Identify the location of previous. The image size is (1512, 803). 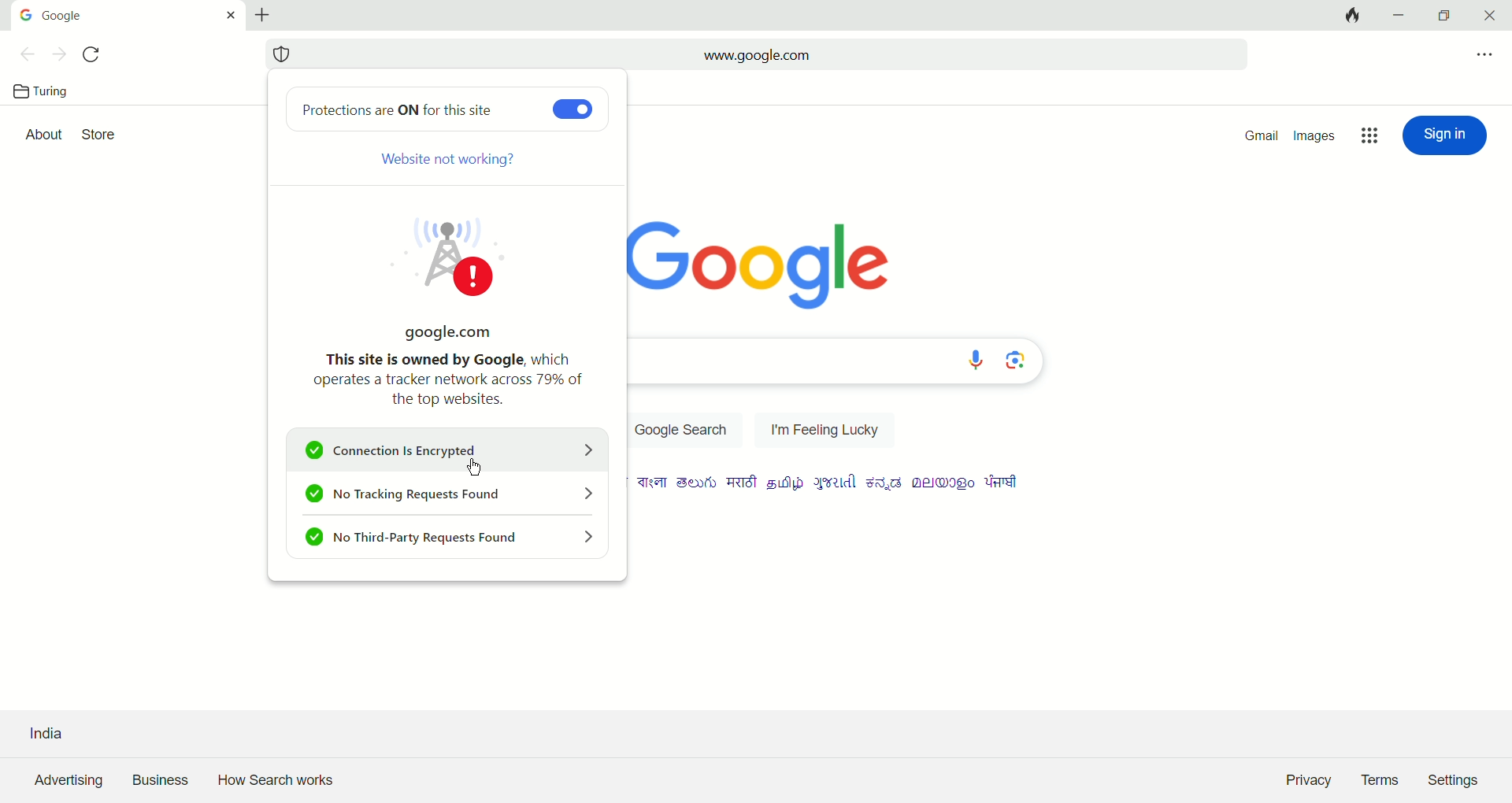
(20, 54).